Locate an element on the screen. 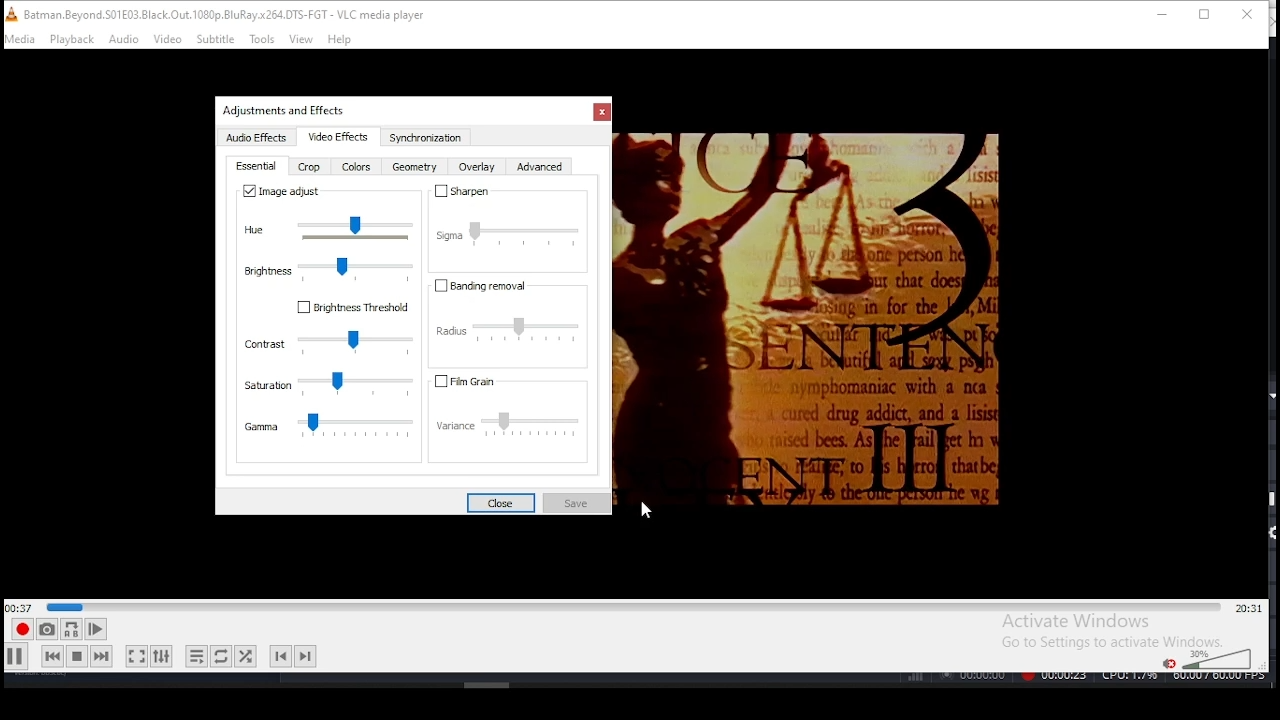 The image size is (1280, 720). playback is located at coordinates (72, 40).